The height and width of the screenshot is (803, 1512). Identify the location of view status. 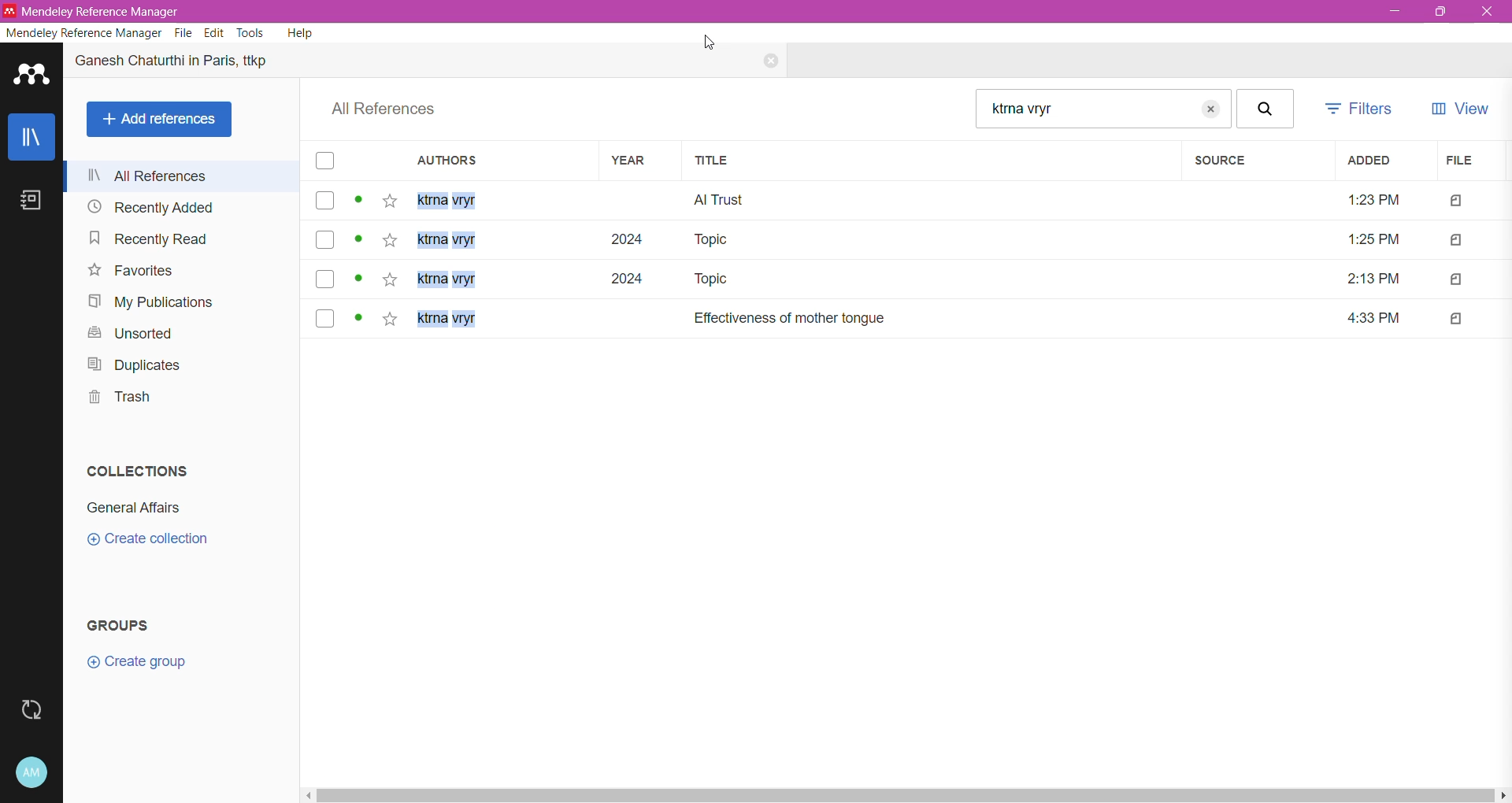
(360, 240).